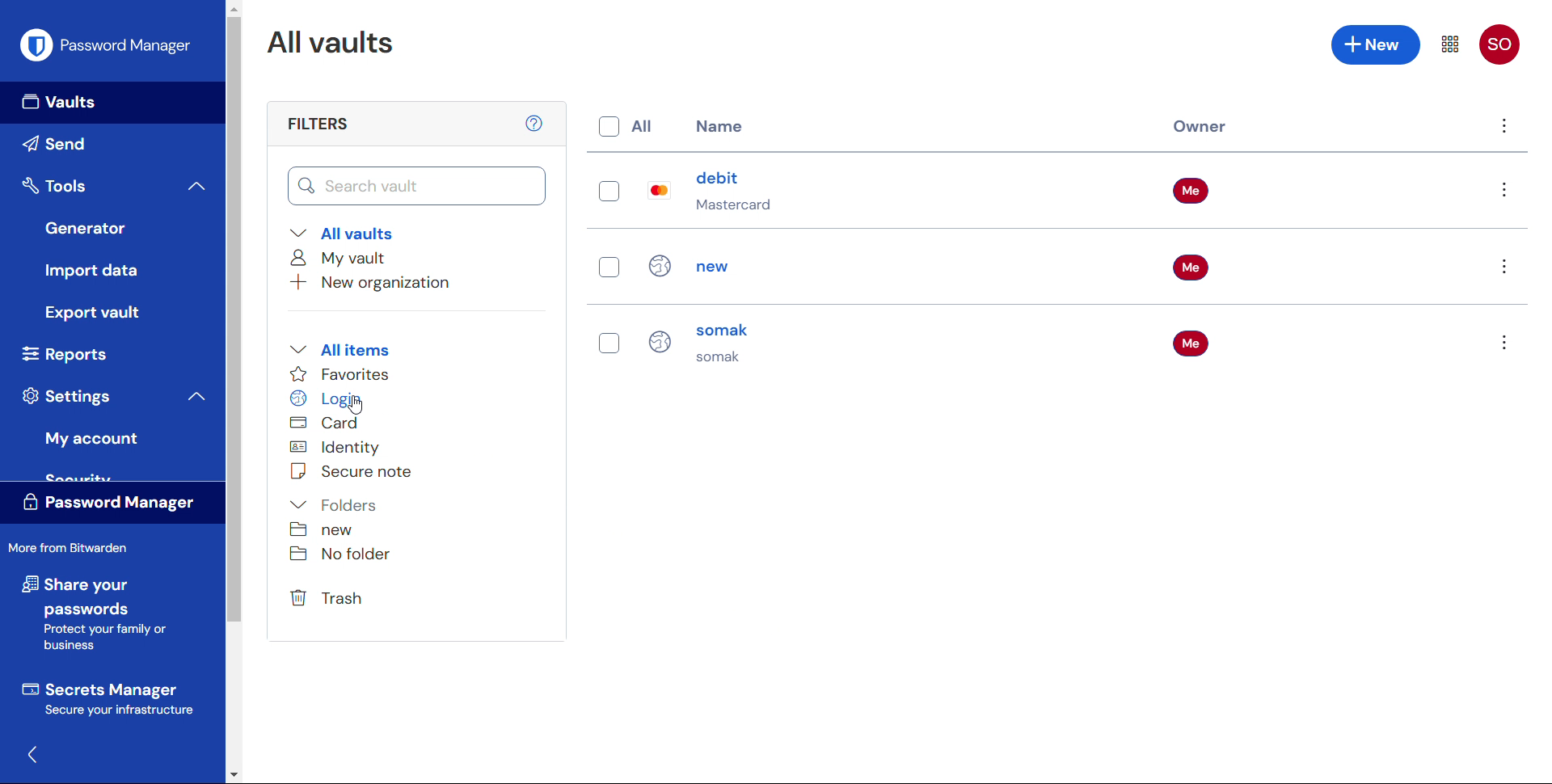 Image resolution: width=1552 pixels, height=784 pixels. Describe the element at coordinates (371, 282) in the screenshot. I see `Add new organisation ` at that location.